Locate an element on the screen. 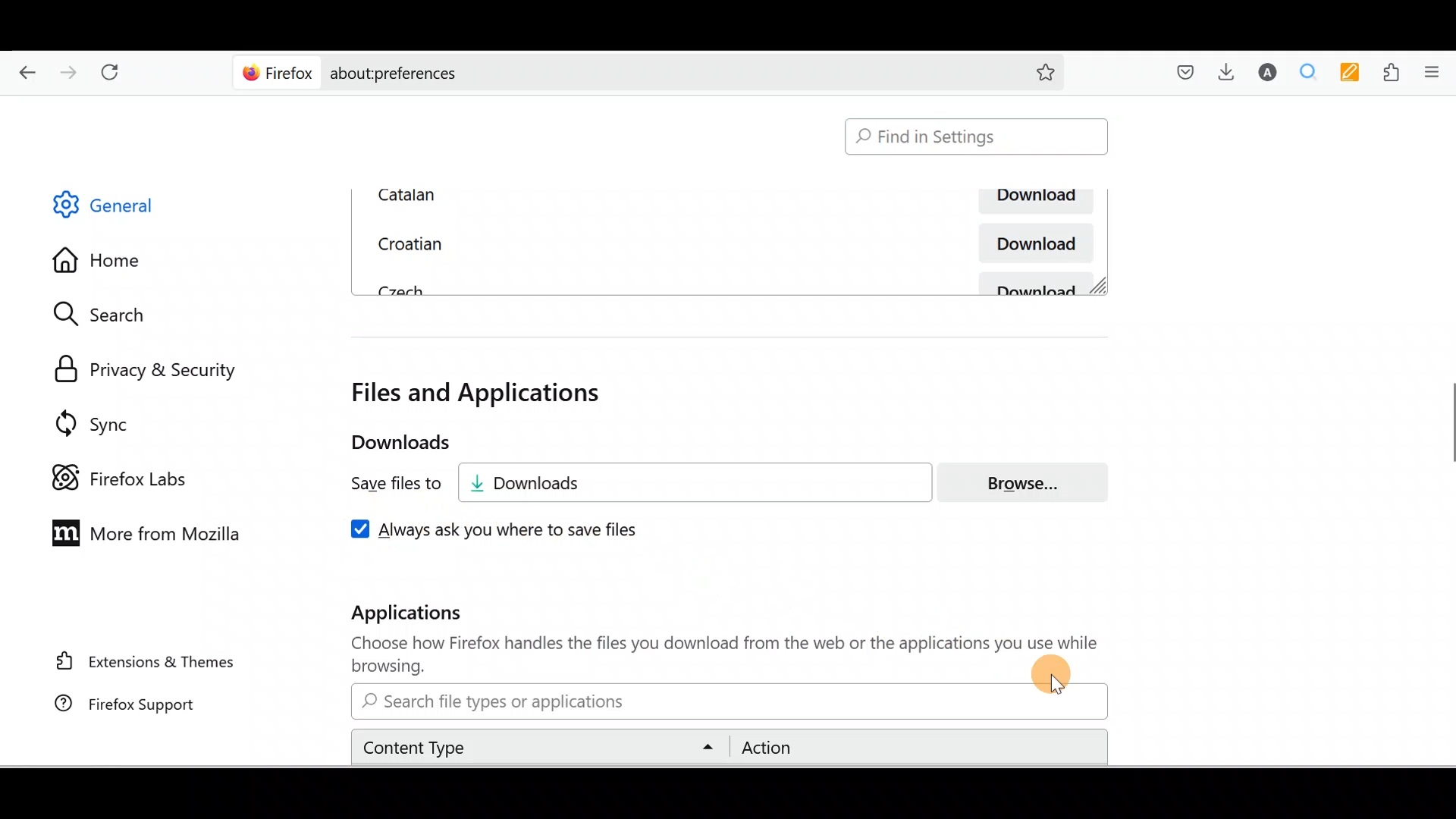 Image resolution: width=1456 pixels, height=819 pixels. Content type is located at coordinates (542, 746).